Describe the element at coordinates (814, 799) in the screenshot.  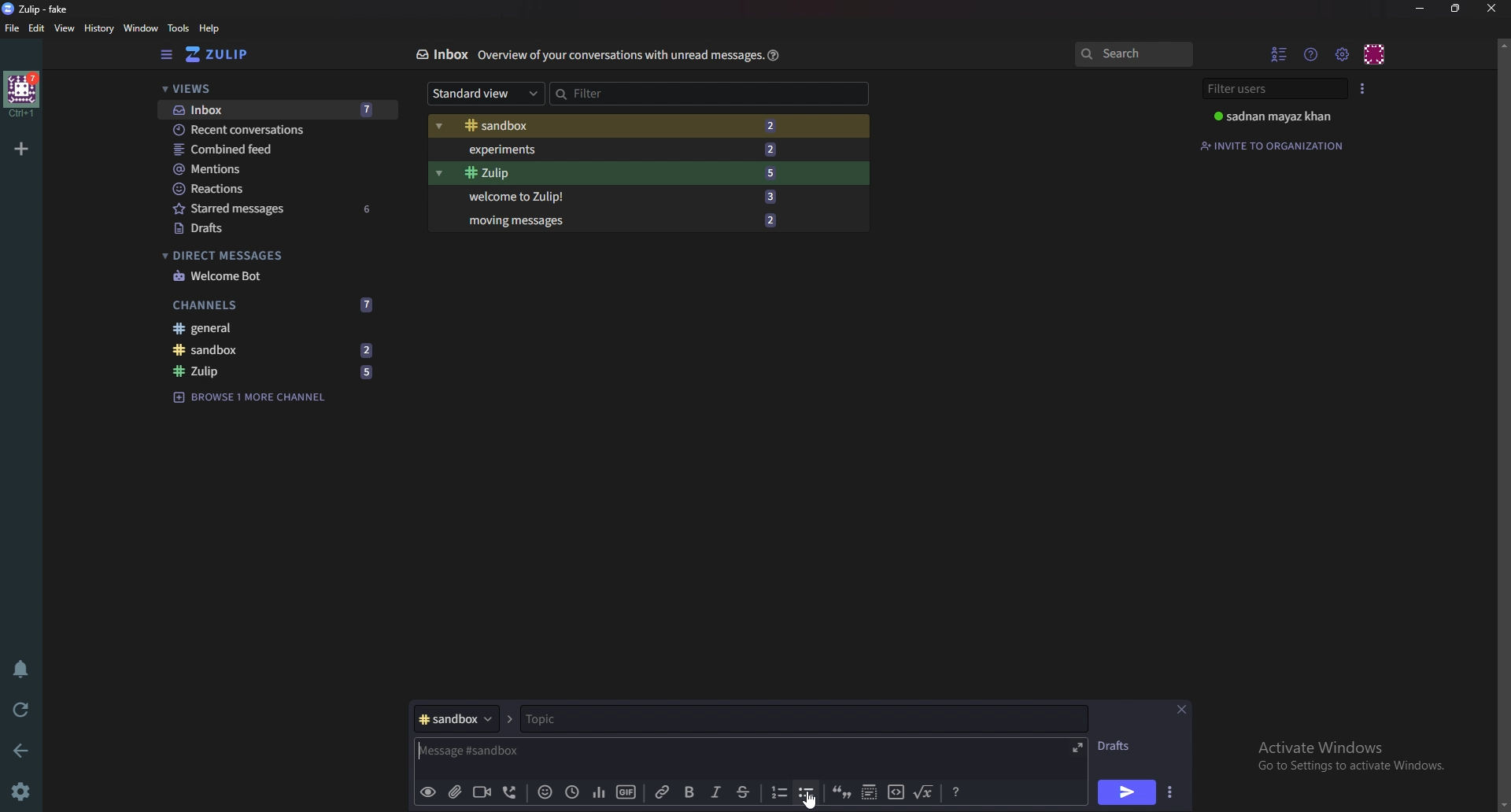
I see `Cursor` at that location.